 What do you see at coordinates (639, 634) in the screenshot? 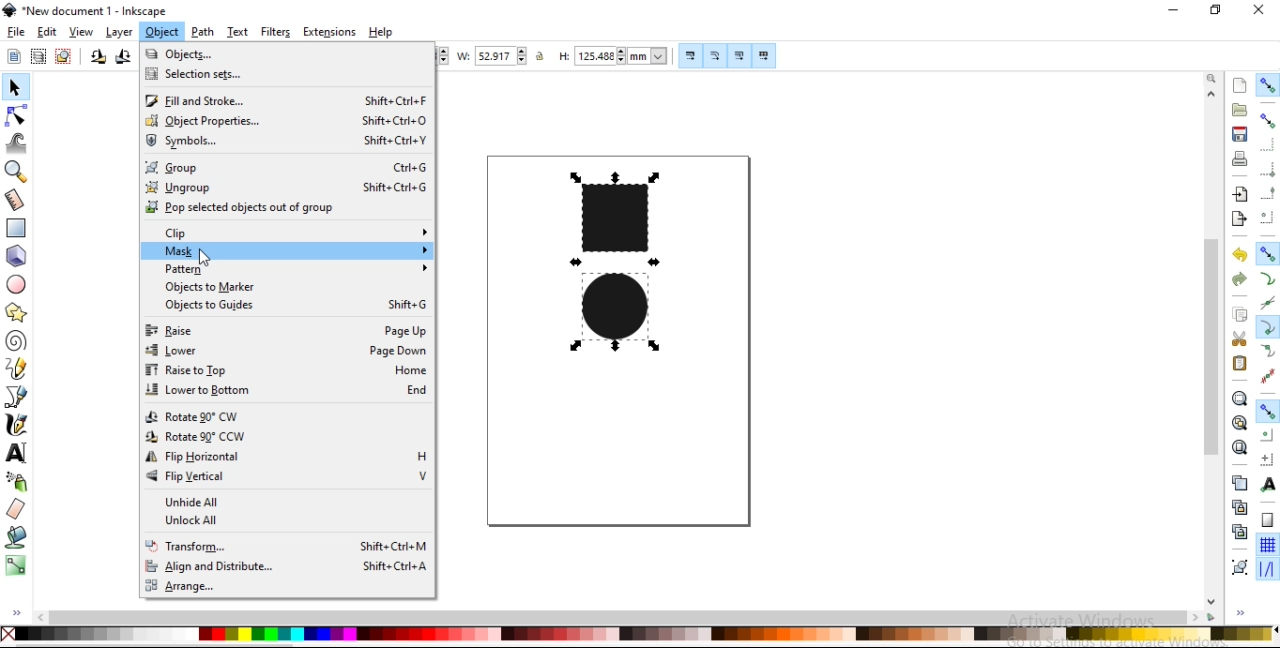
I see `color` at bounding box center [639, 634].